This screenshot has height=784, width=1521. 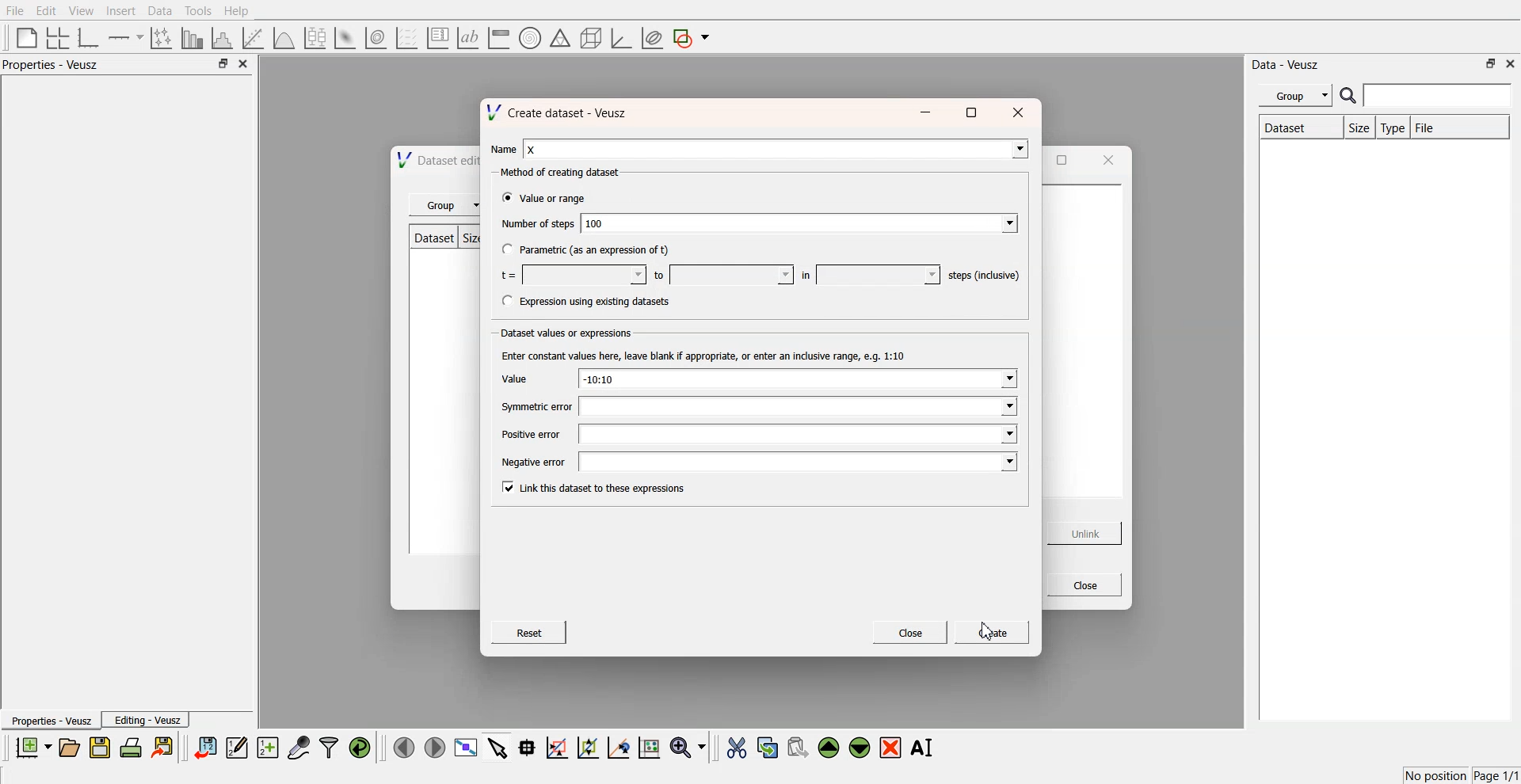 I want to click on blank page, so click(x=23, y=36).